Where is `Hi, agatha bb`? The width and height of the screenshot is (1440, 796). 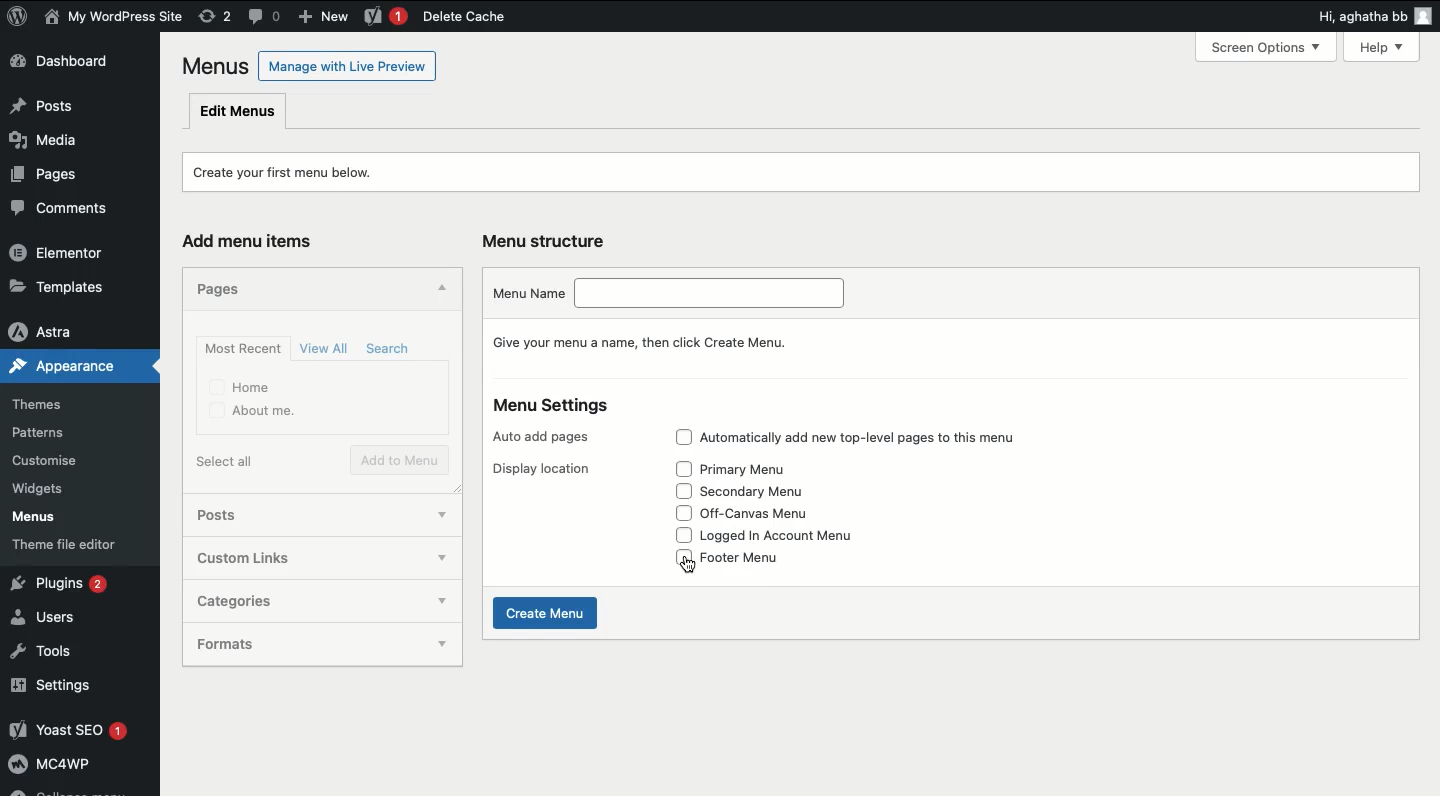 Hi, agatha bb is located at coordinates (1358, 19).